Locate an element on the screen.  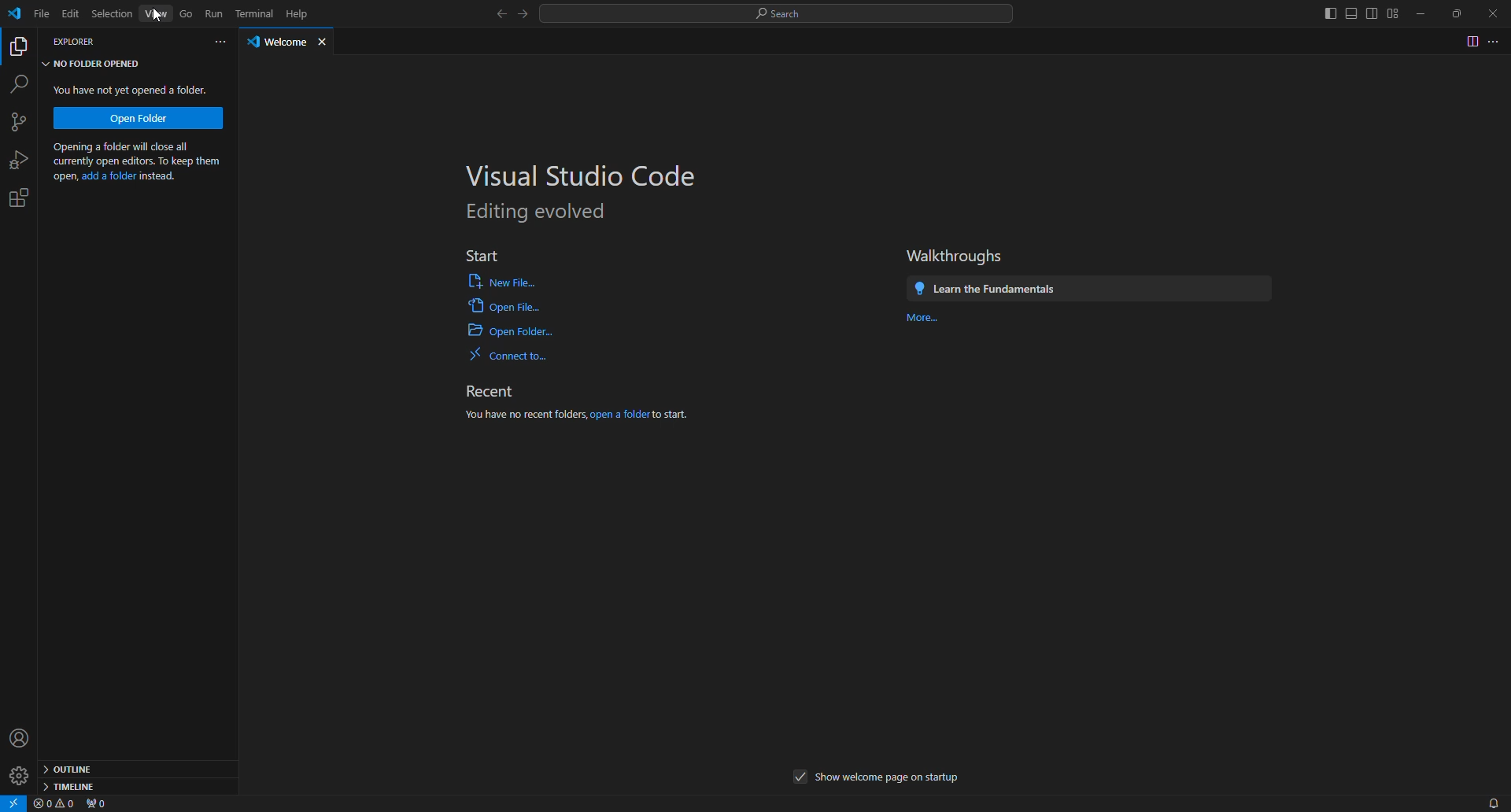
settings is located at coordinates (27, 195).